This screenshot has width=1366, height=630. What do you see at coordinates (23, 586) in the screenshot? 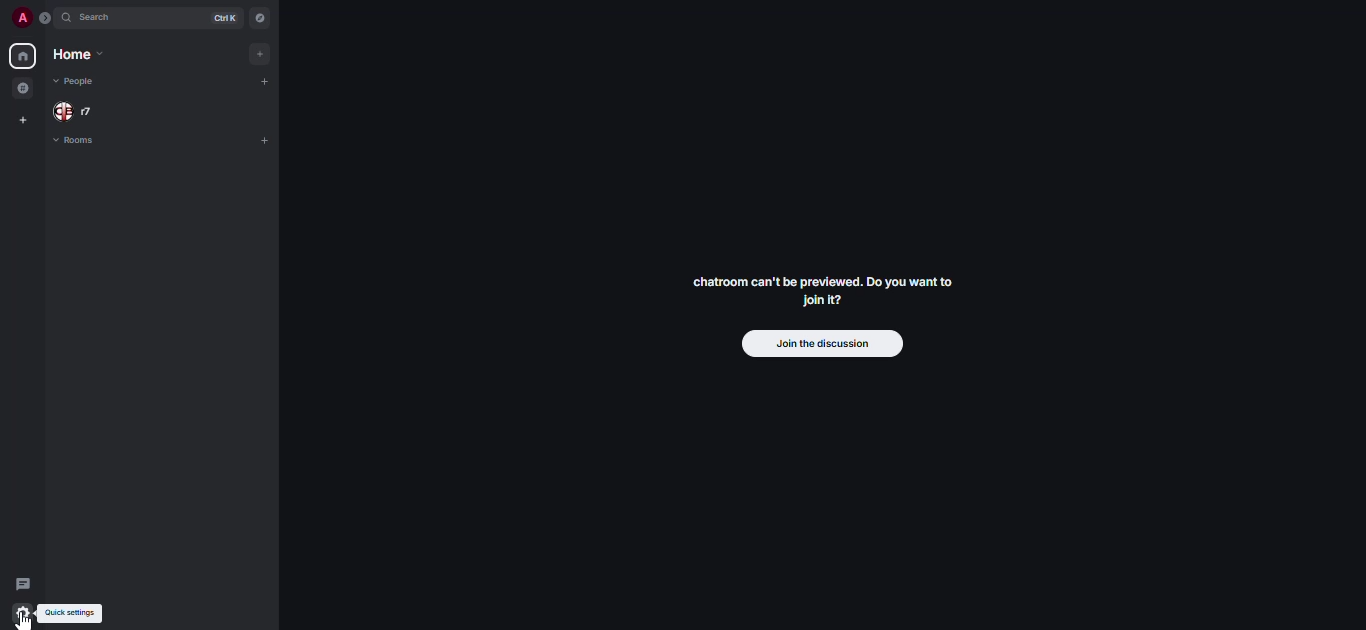
I see `threads` at bounding box center [23, 586].